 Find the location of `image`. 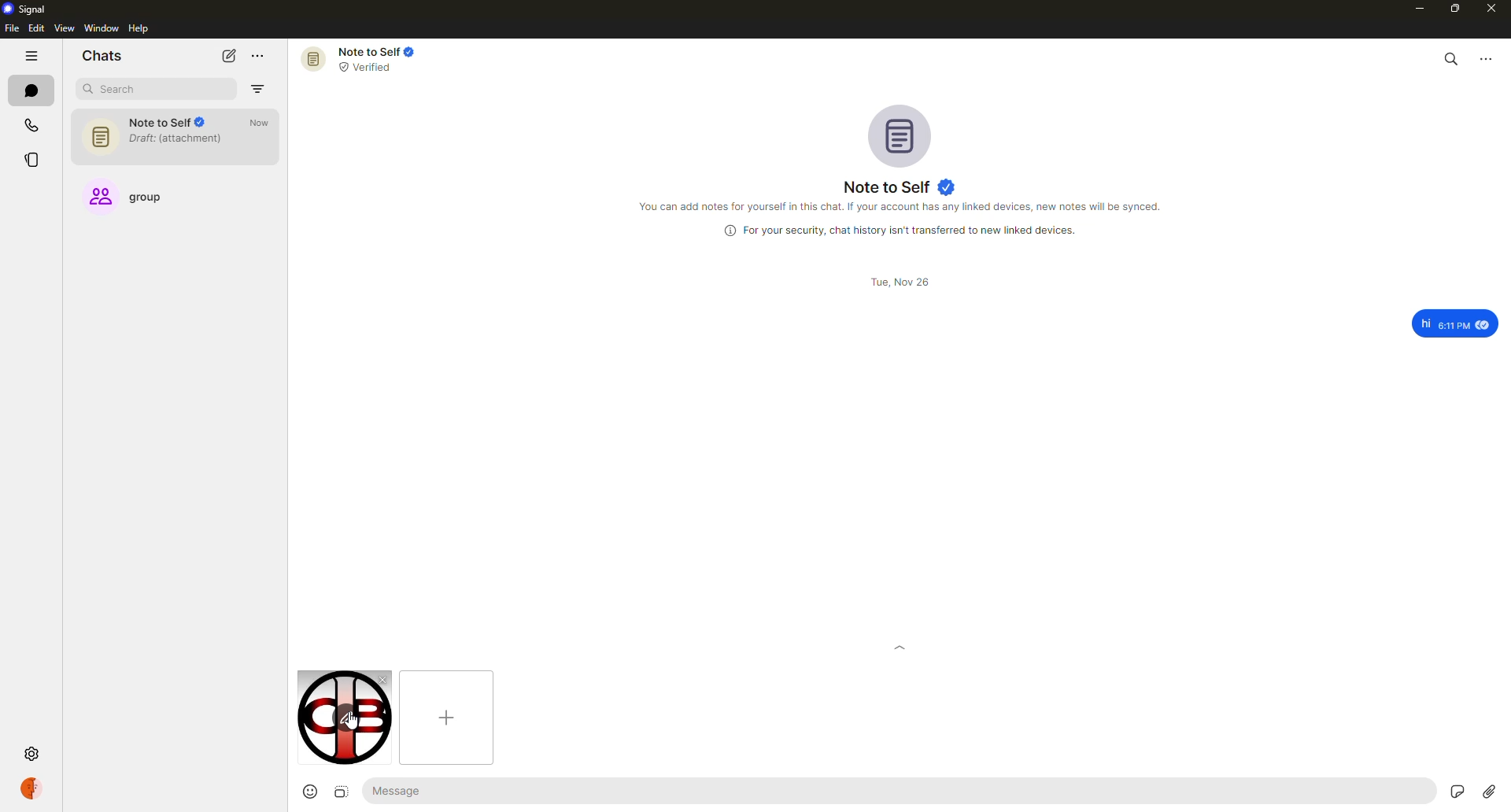

image is located at coordinates (342, 792).